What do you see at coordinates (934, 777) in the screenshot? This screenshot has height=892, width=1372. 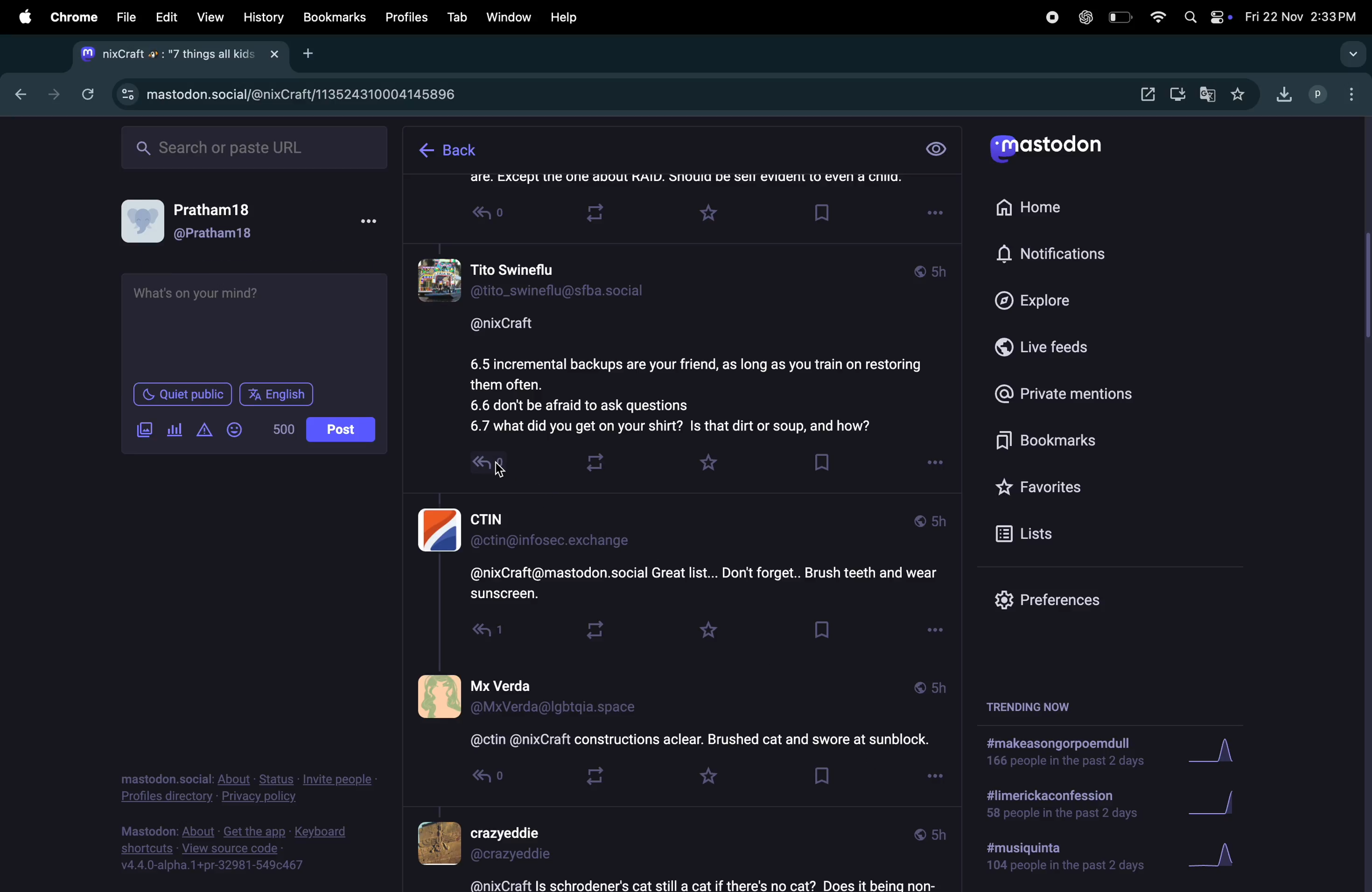 I see `options` at bounding box center [934, 777].